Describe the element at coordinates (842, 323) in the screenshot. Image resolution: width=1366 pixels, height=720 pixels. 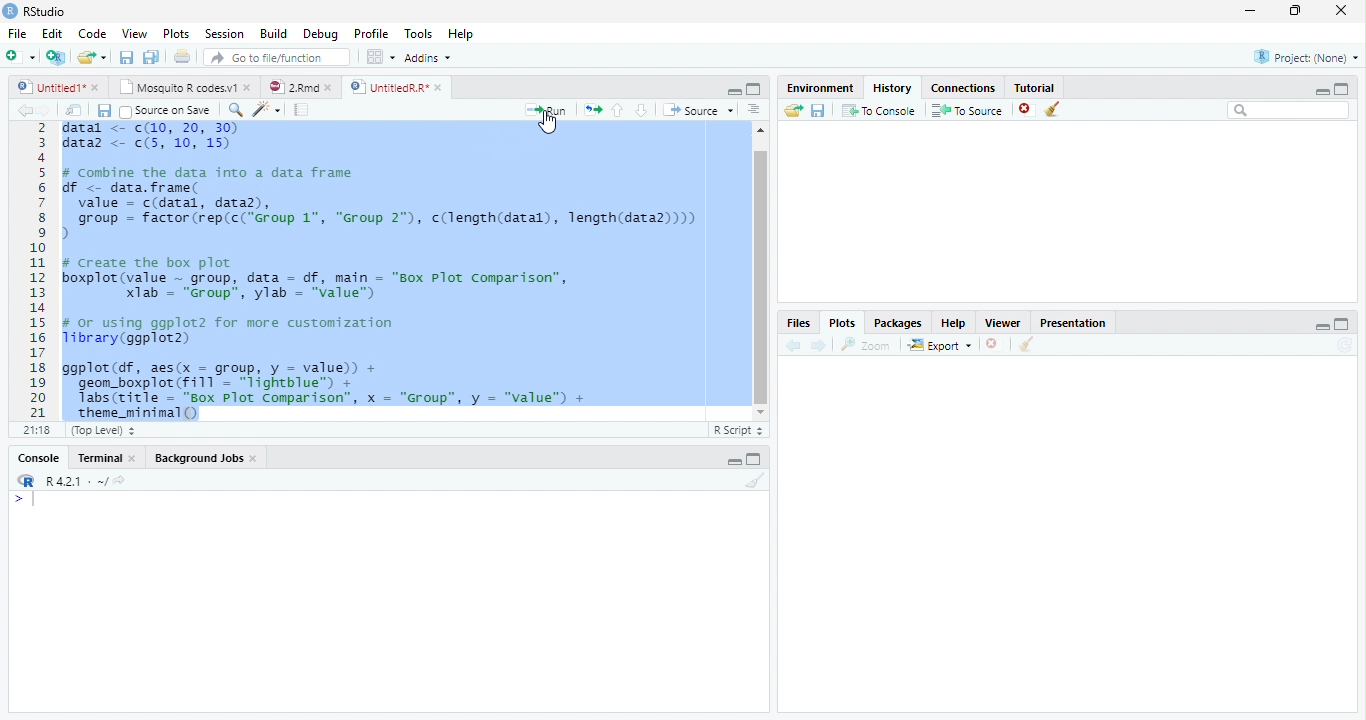
I see `Plots` at that location.